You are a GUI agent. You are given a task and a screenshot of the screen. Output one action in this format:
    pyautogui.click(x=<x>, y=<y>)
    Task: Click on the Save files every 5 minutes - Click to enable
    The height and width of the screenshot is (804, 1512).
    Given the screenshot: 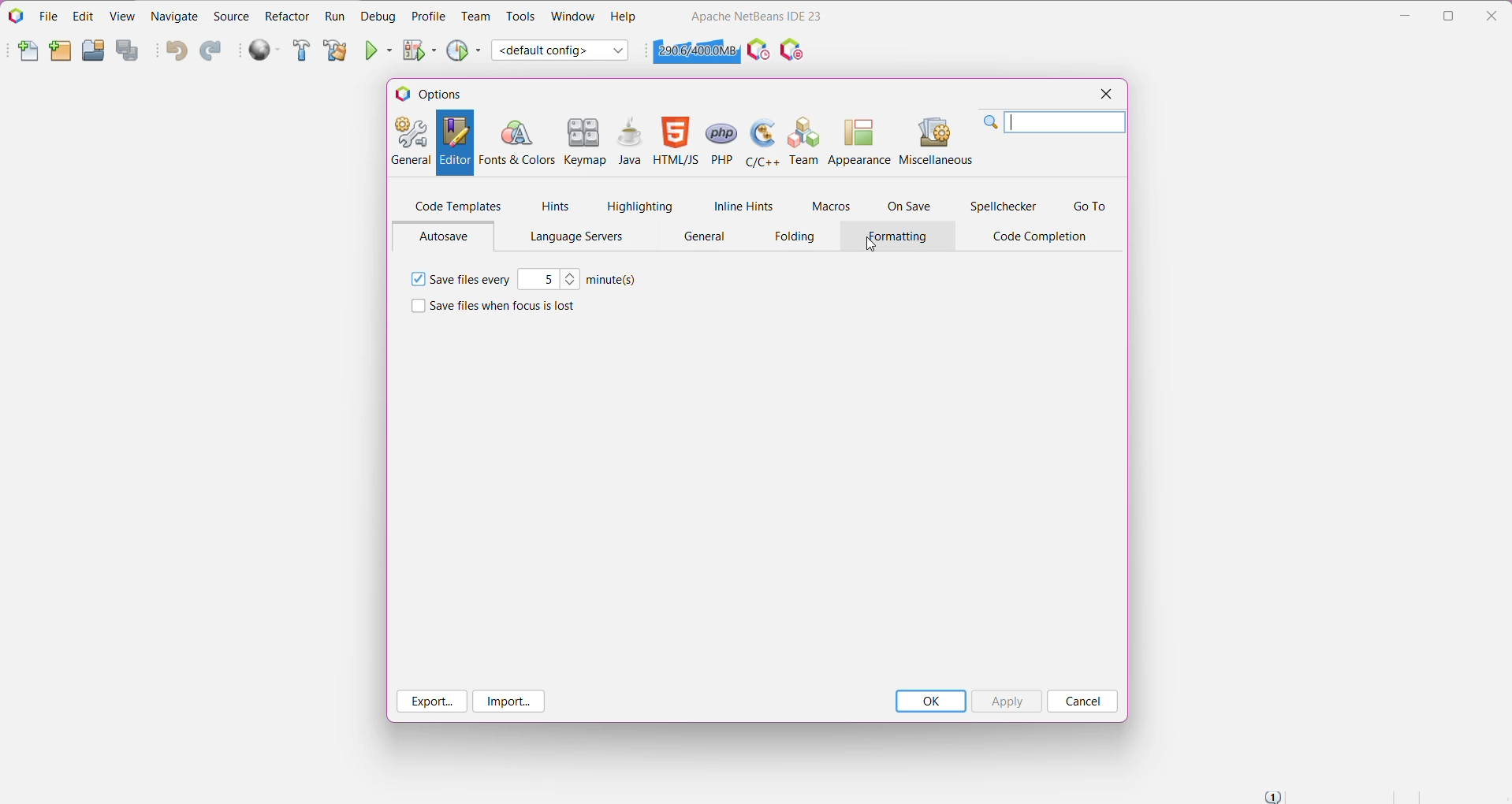 What is the action you would take?
    pyautogui.click(x=471, y=278)
    